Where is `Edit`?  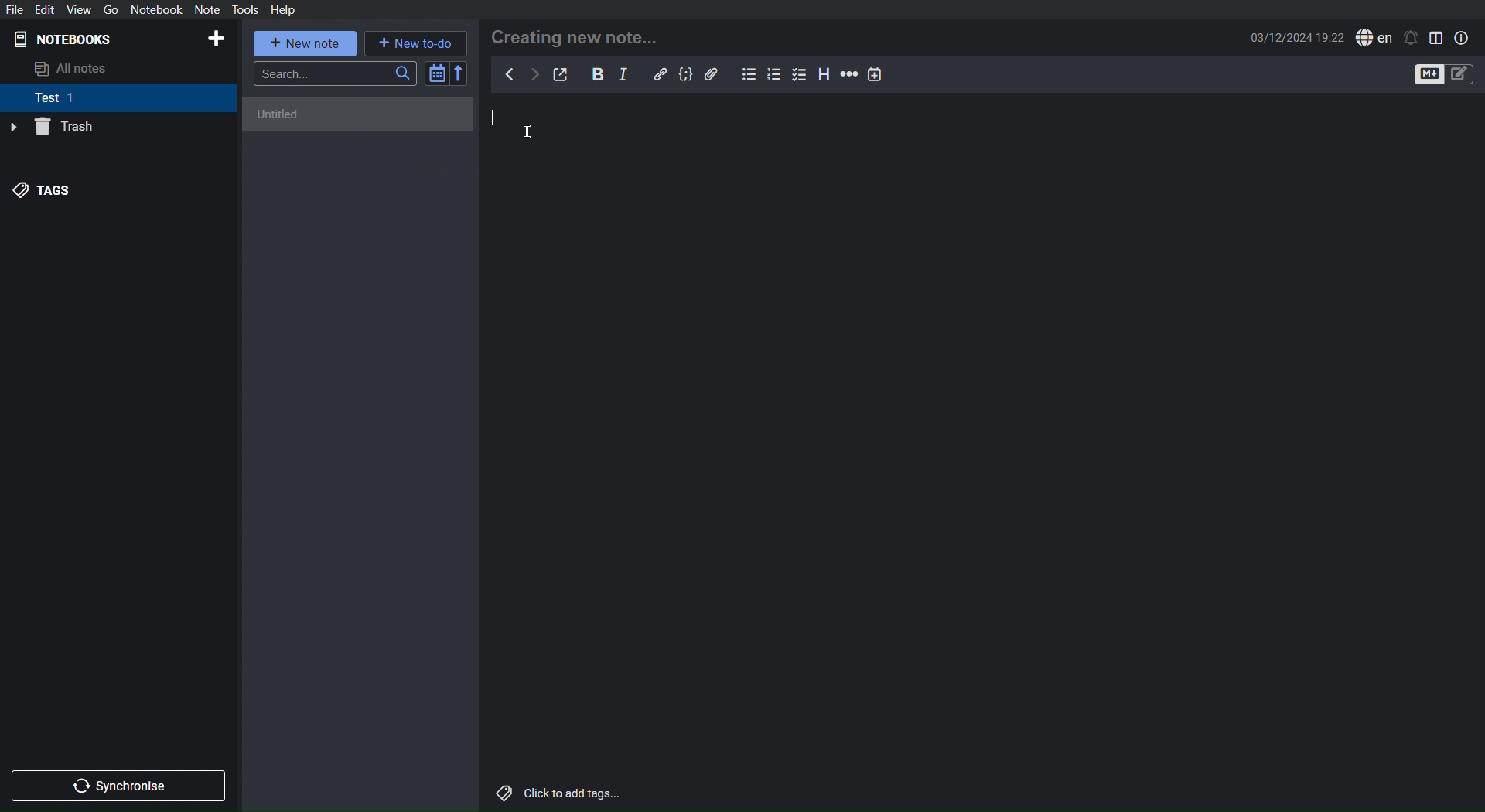
Edit is located at coordinates (44, 10).